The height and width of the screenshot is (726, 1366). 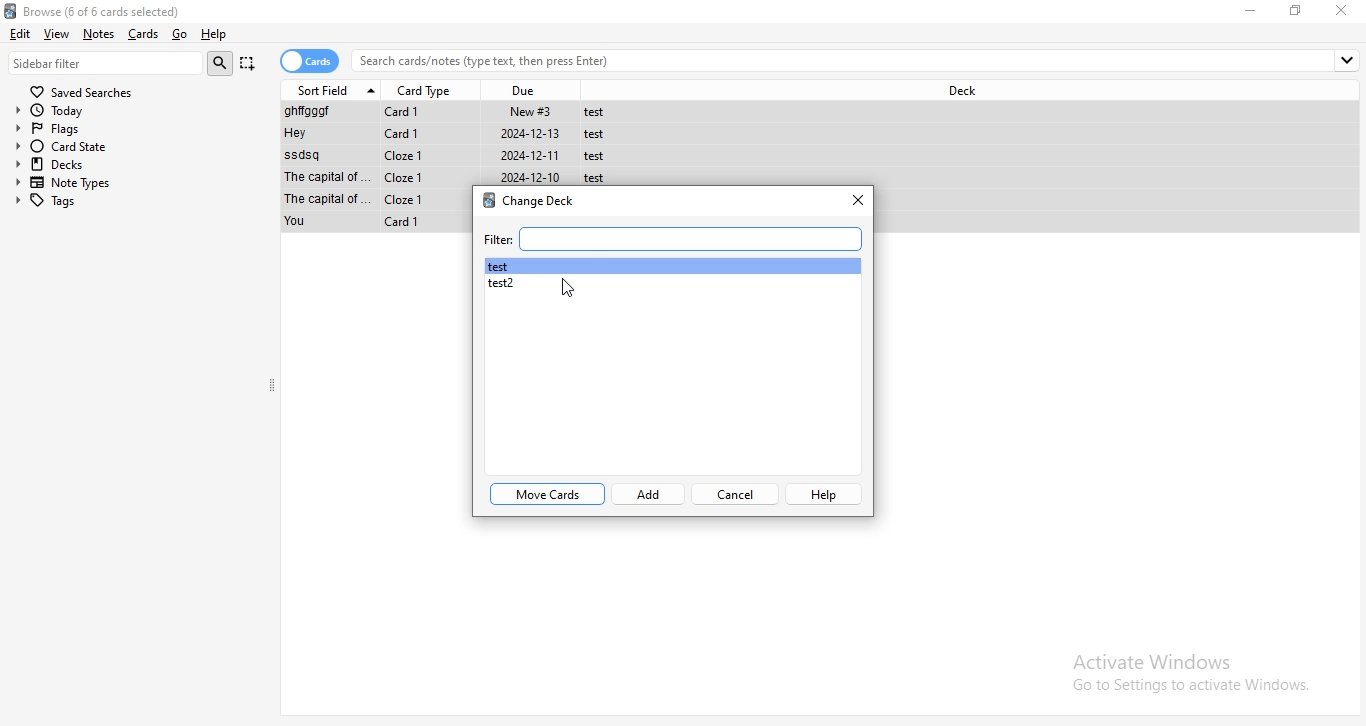 What do you see at coordinates (428, 89) in the screenshot?
I see `card type` at bounding box center [428, 89].